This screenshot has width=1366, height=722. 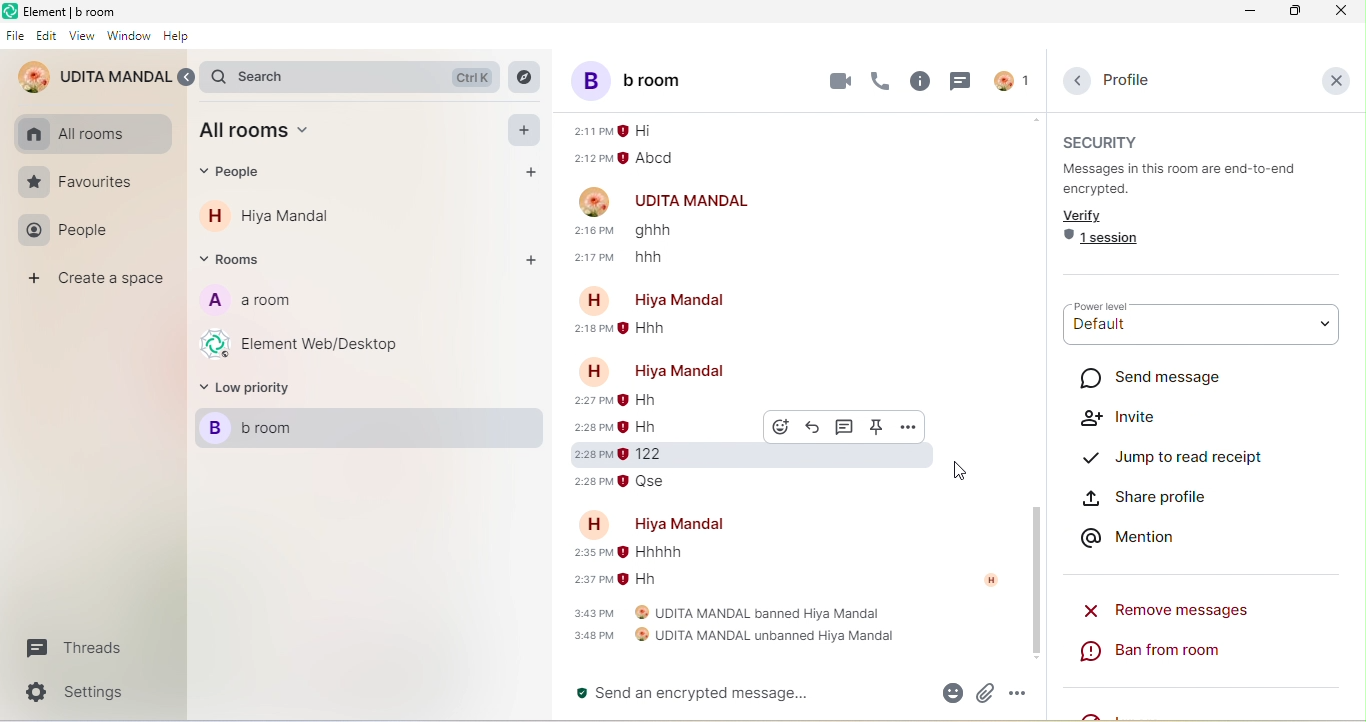 I want to click on window, so click(x=130, y=38).